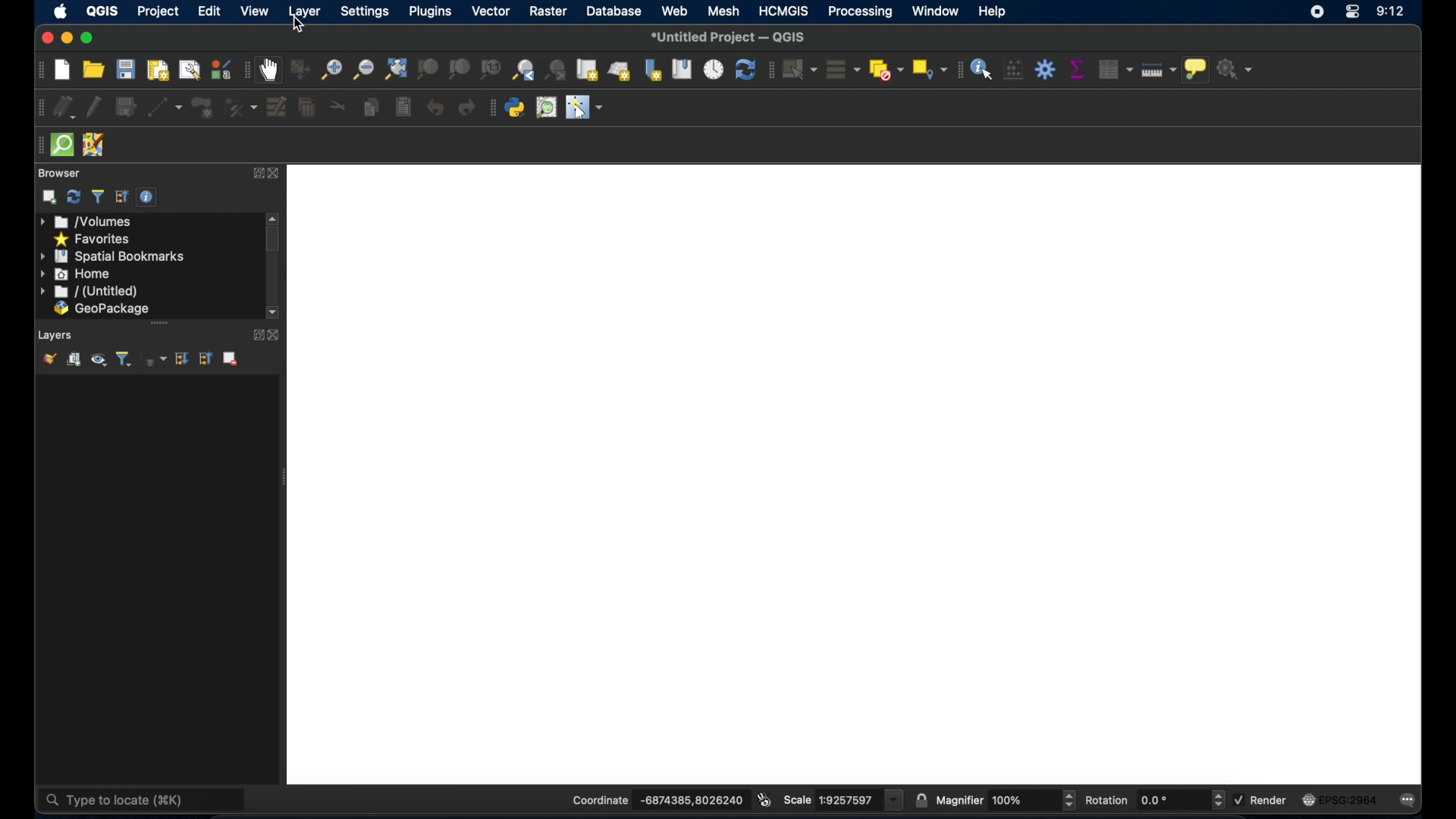 This screenshot has width=1456, height=819. Describe the element at coordinates (671, 796) in the screenshot. I see `coordinate ` at that location.